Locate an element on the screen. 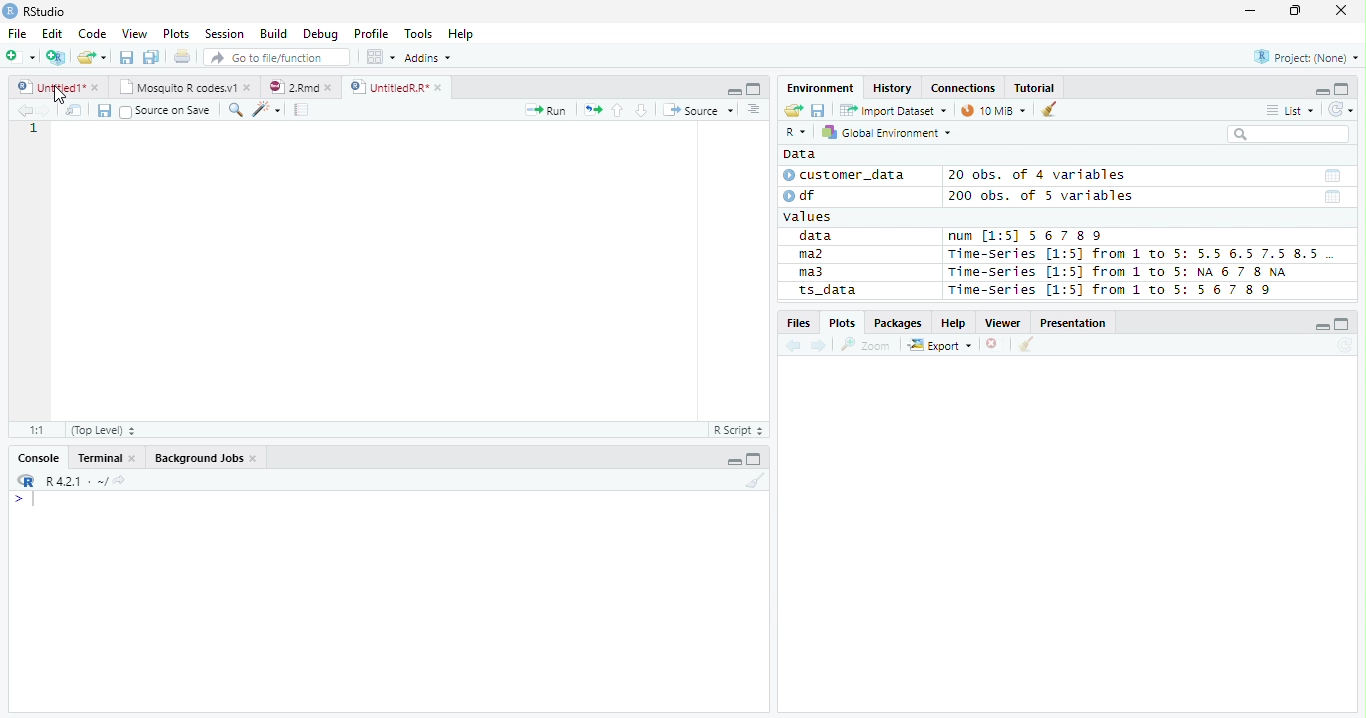 The width and height of the screenshot is (1366, 718). 1:1 is located at coordinates (37, 430).